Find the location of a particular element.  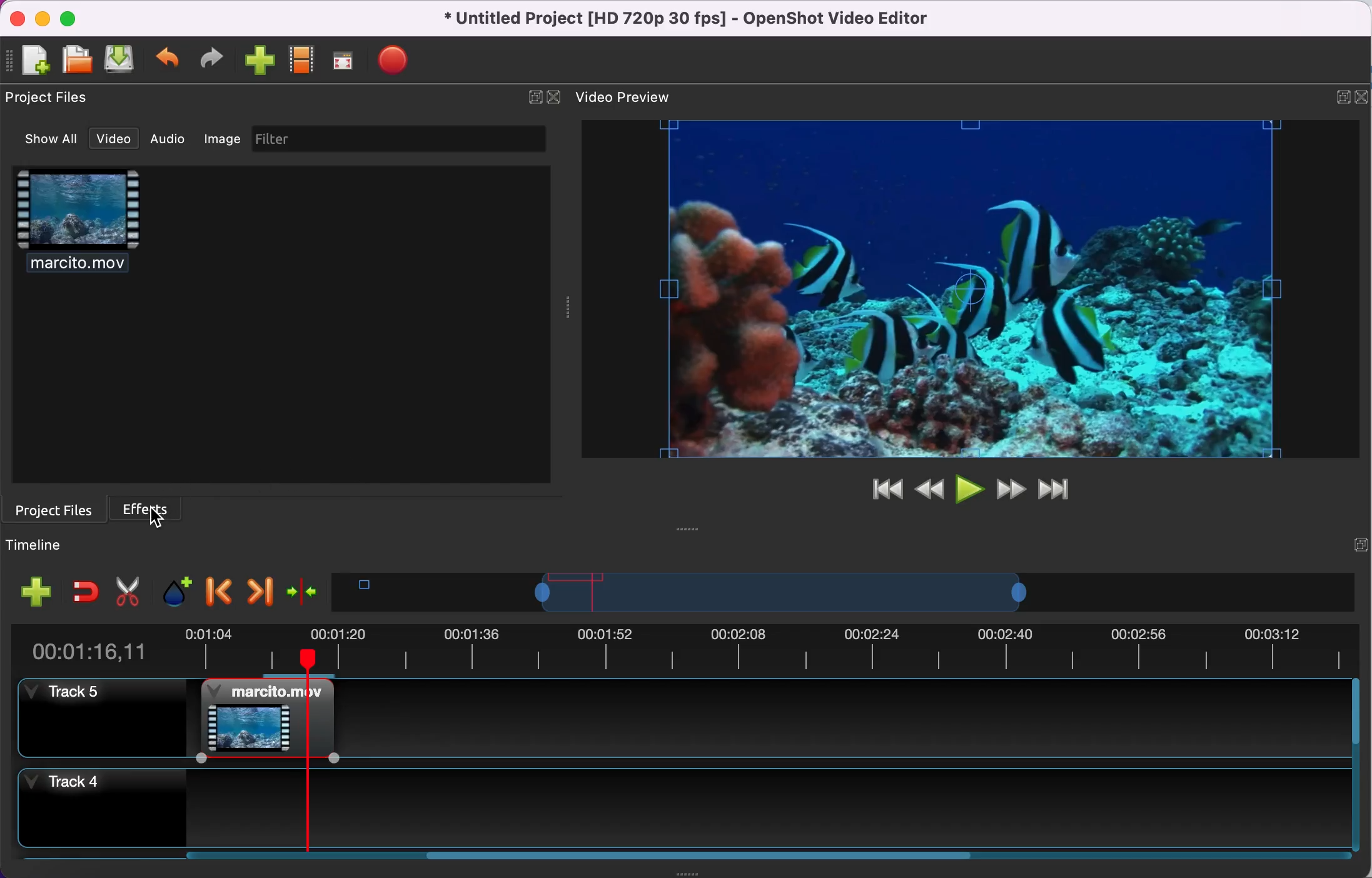

expand/hide is located at coordinates (1340, 96).